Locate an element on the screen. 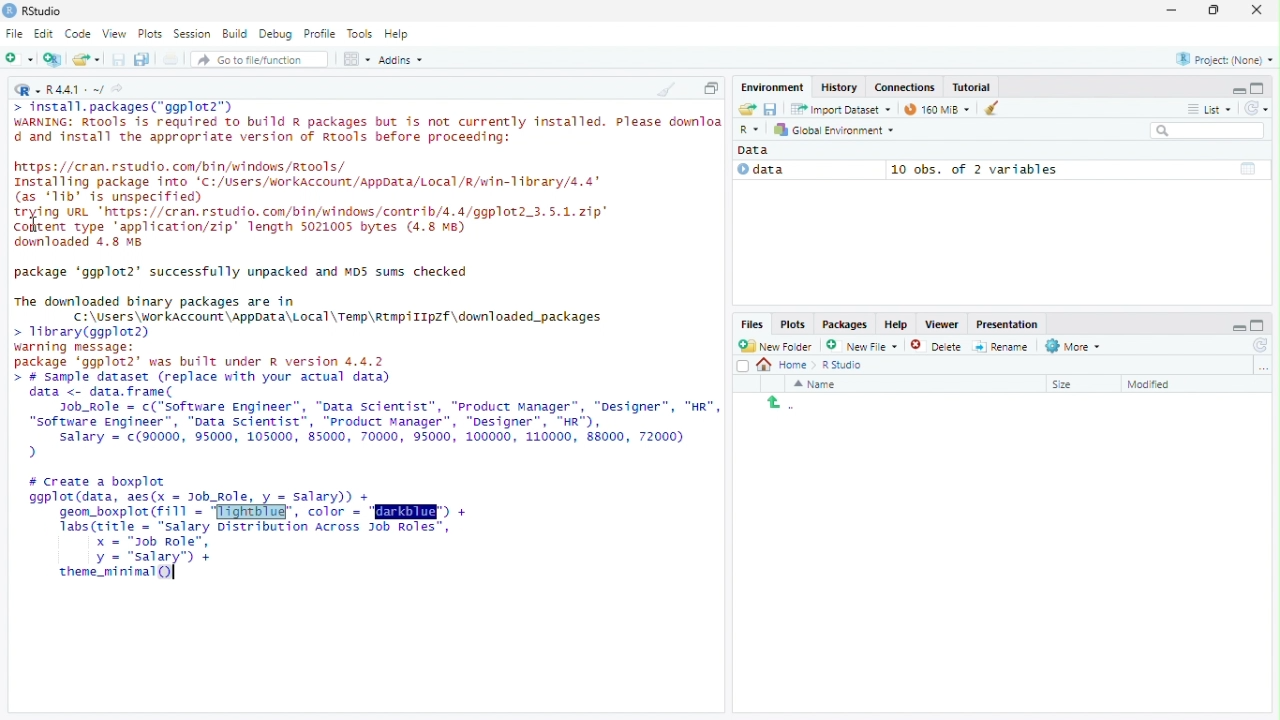 The image size is (1280, 720). File is located at coordinates (14, 33).